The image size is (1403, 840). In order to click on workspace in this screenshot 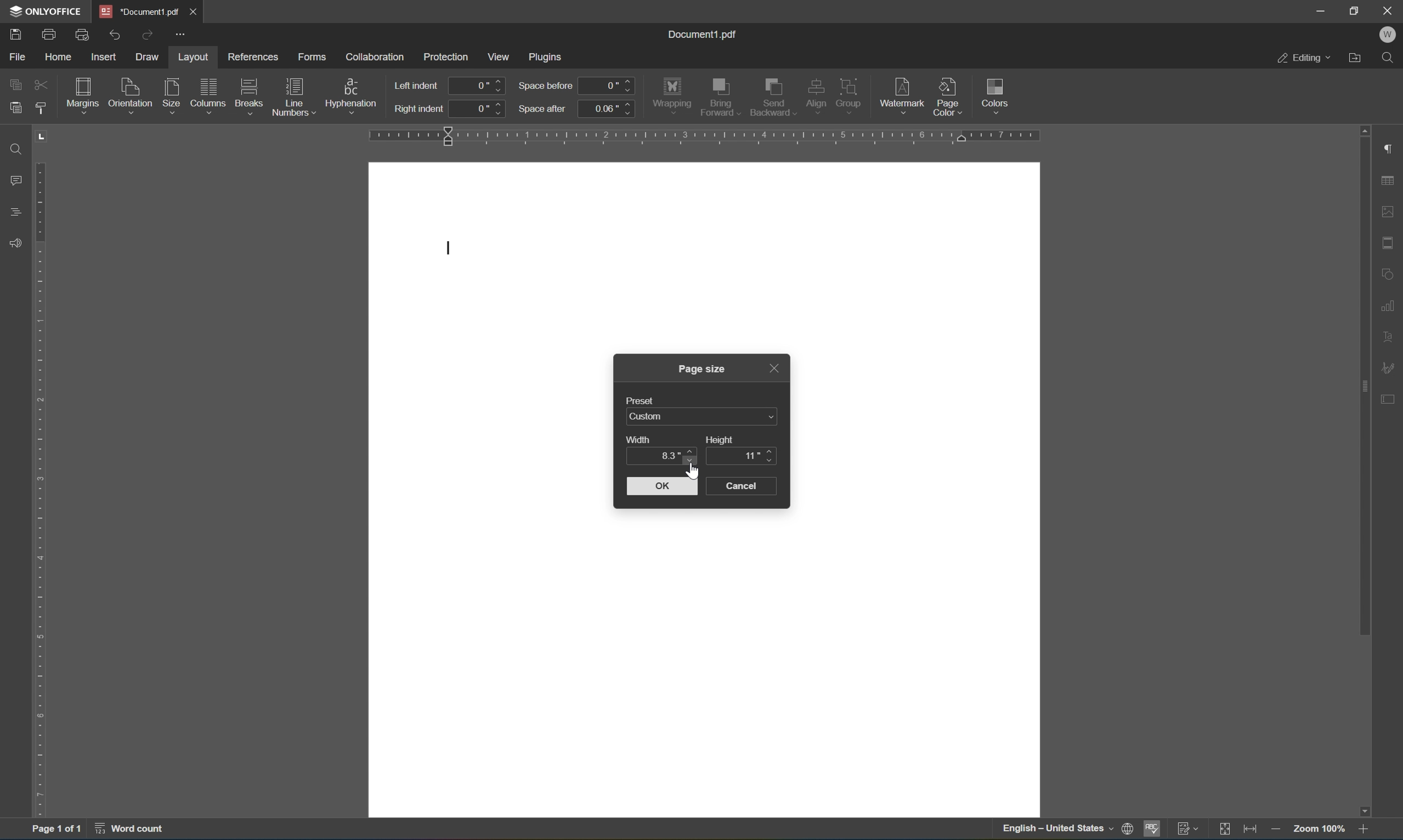, I will do `click(705, 667)`.